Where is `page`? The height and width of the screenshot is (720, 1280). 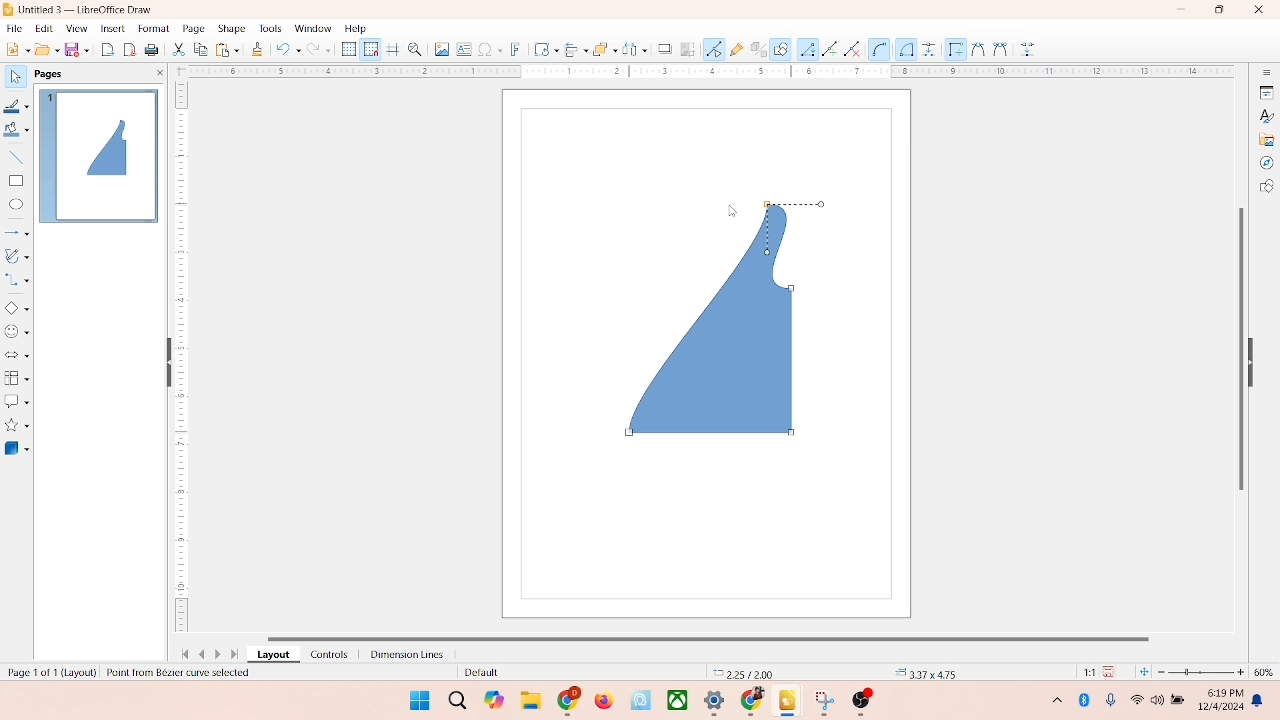 page is located at coordinates (191, 29).